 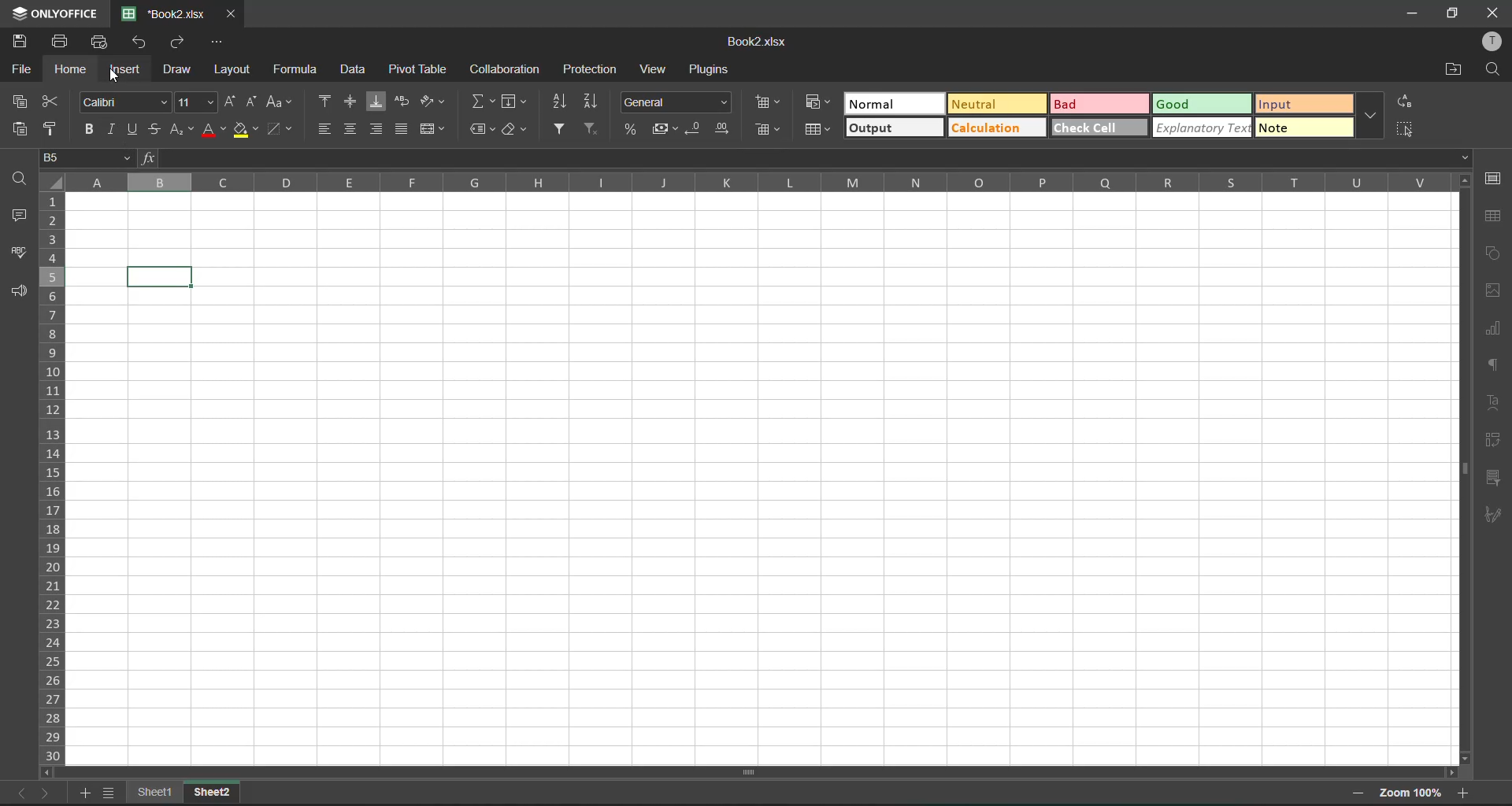 I want to click on copy, so click(x=20, y=102).